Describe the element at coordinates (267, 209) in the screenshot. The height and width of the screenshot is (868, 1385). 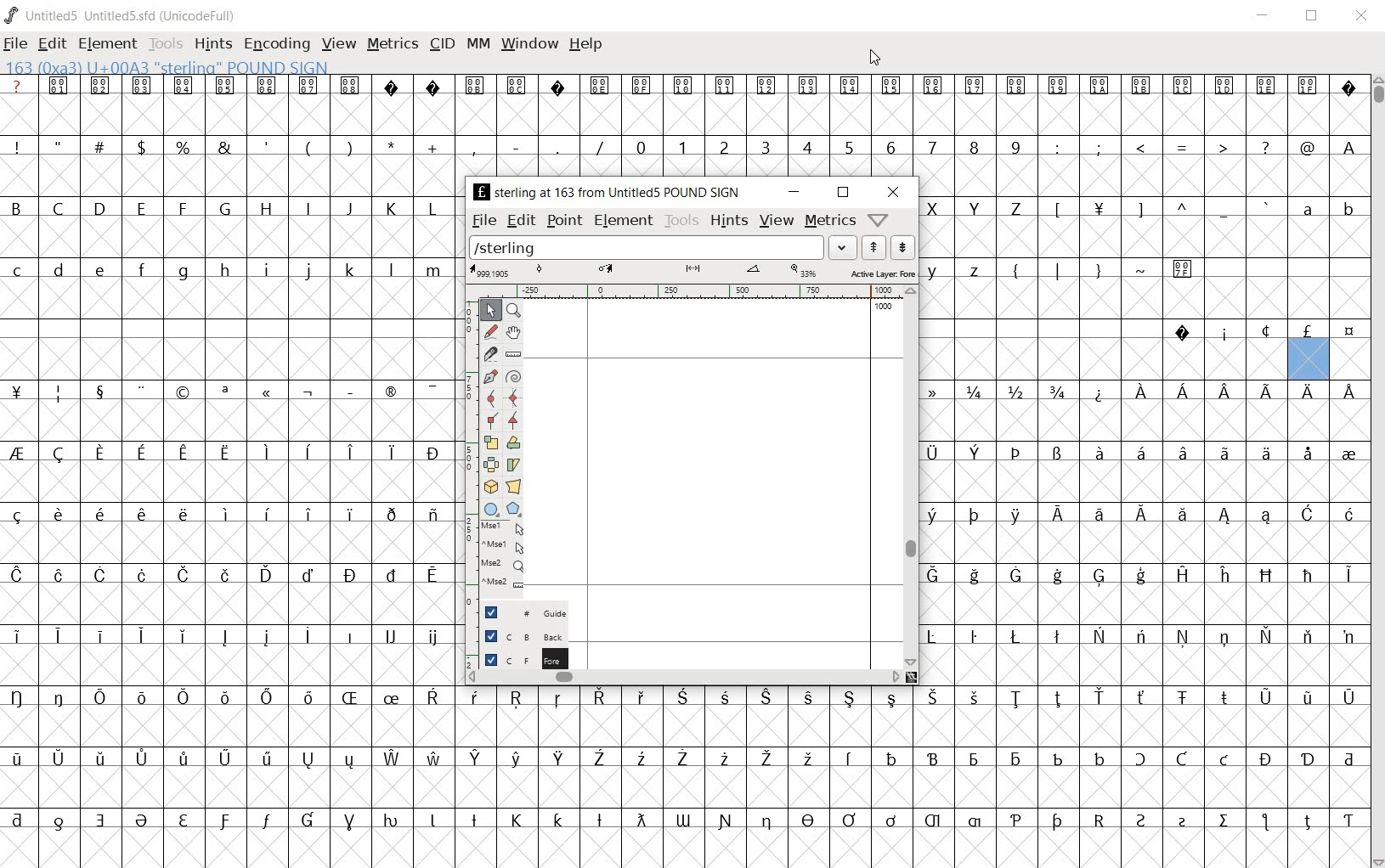
I see `H` at that location.